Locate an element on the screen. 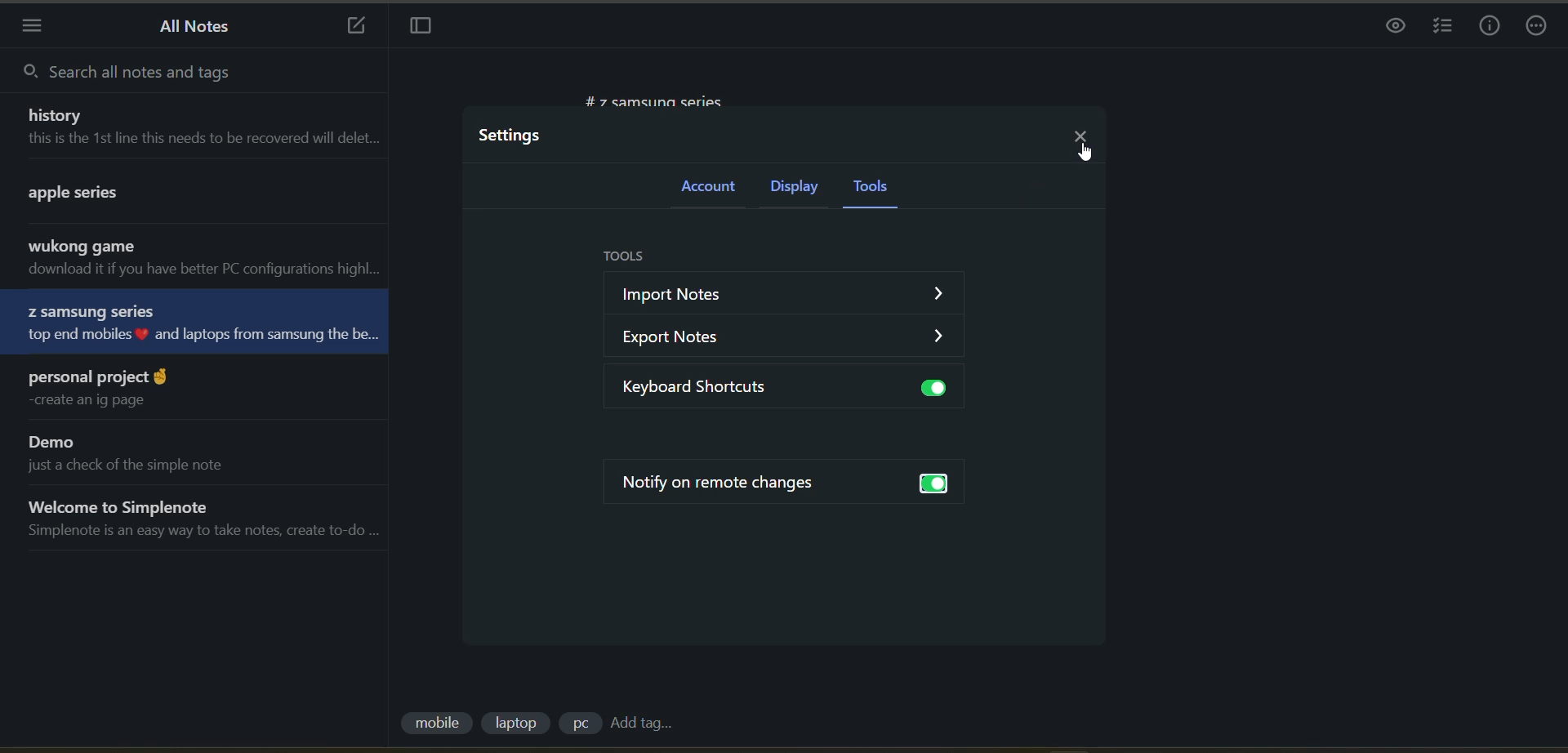  note title and preview is located at coordinates (204, 130).